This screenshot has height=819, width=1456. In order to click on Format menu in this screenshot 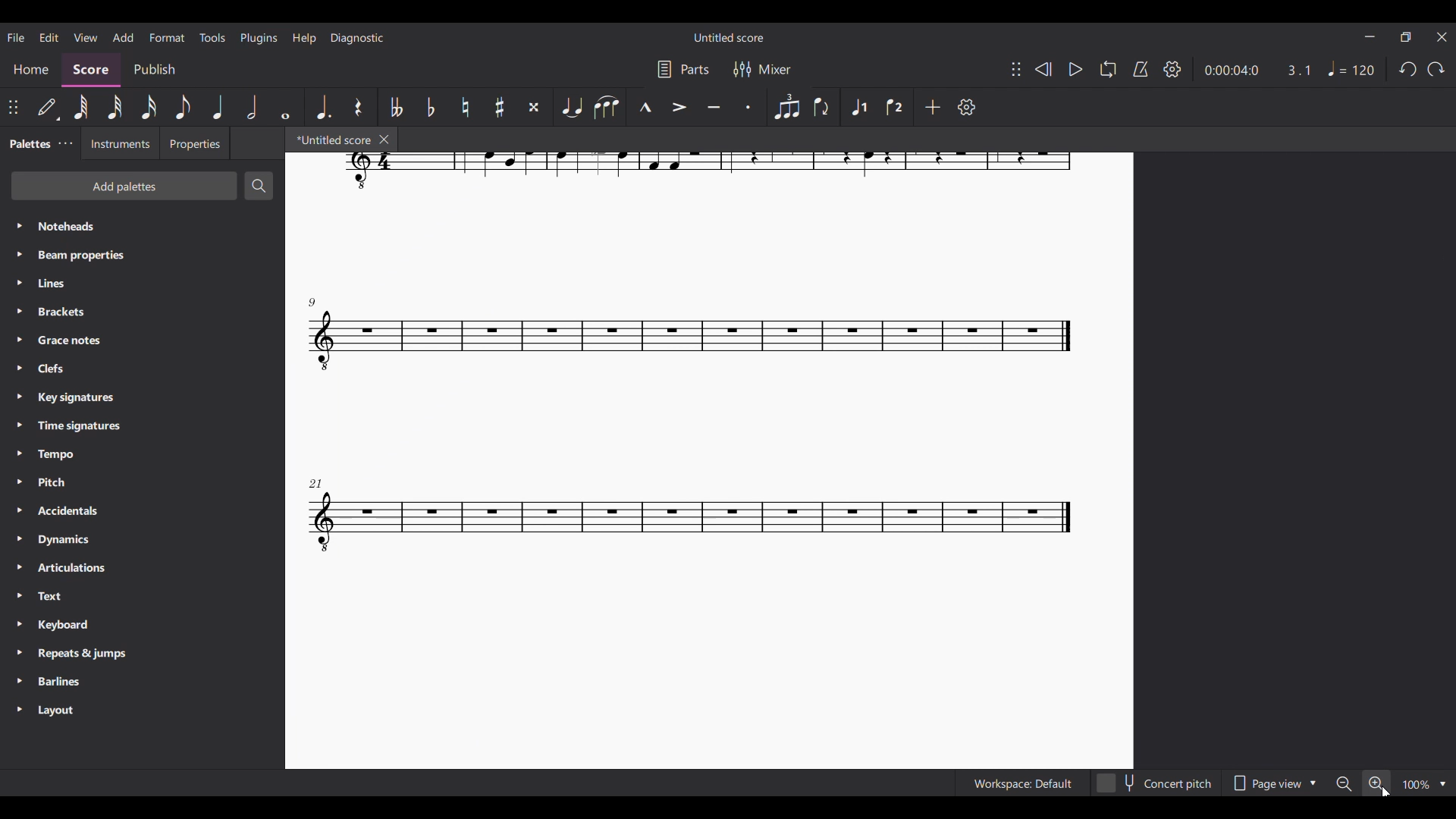, I will do `click(168, 37)`.